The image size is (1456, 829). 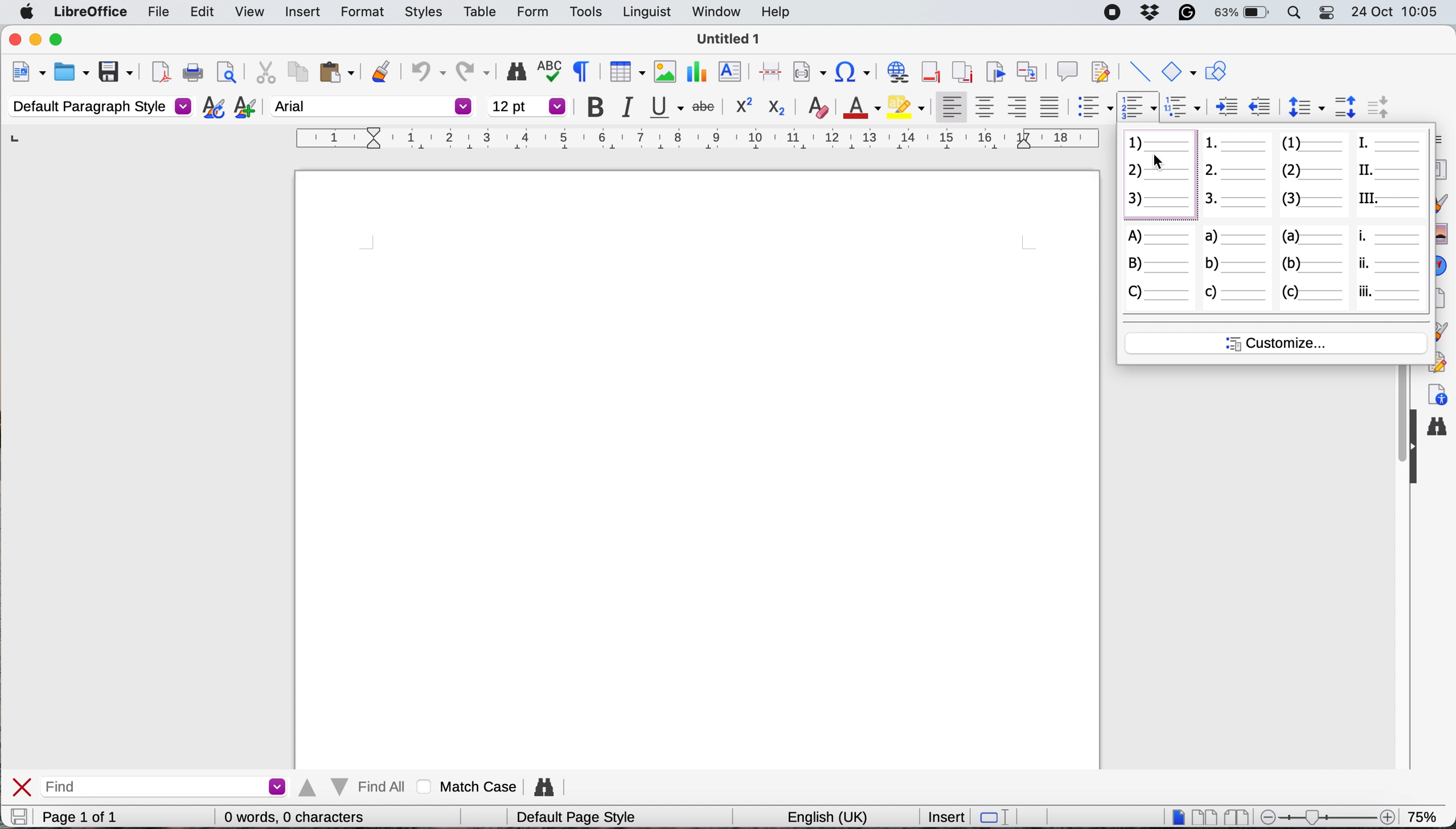 I want to click on numbered list, so click(x=1235, y=177).